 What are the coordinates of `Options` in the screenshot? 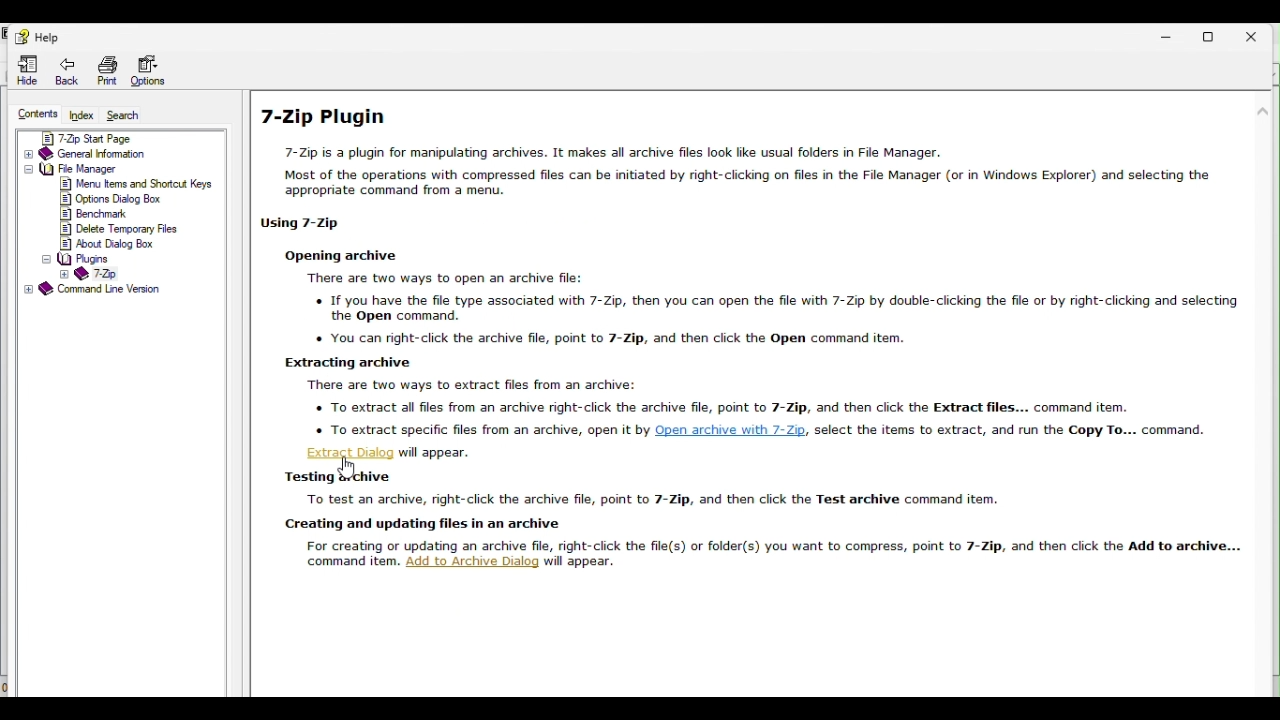 It's located at (152, 69).